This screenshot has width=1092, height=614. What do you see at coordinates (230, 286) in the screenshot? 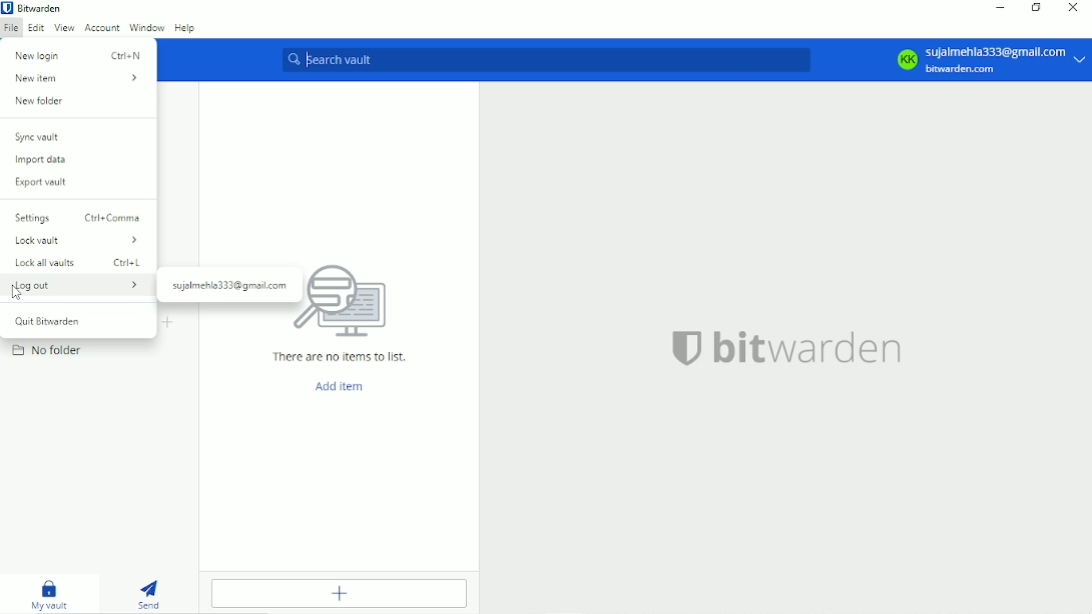
I see `sujalmehla333@ gmail.com` at bounding box center [230, 286].